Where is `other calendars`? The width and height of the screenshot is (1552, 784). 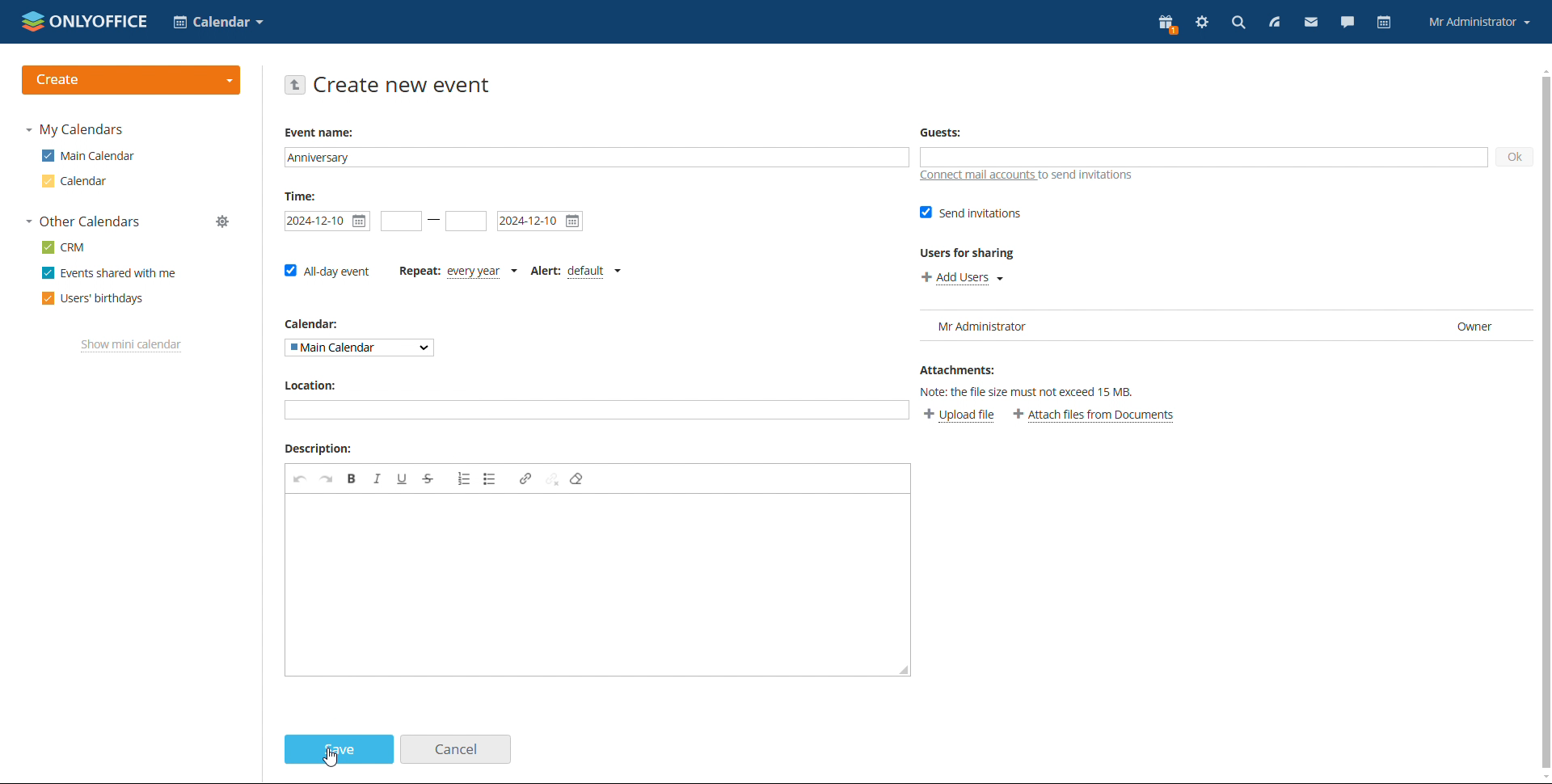 other calendars is located at coordinates (83, 221).